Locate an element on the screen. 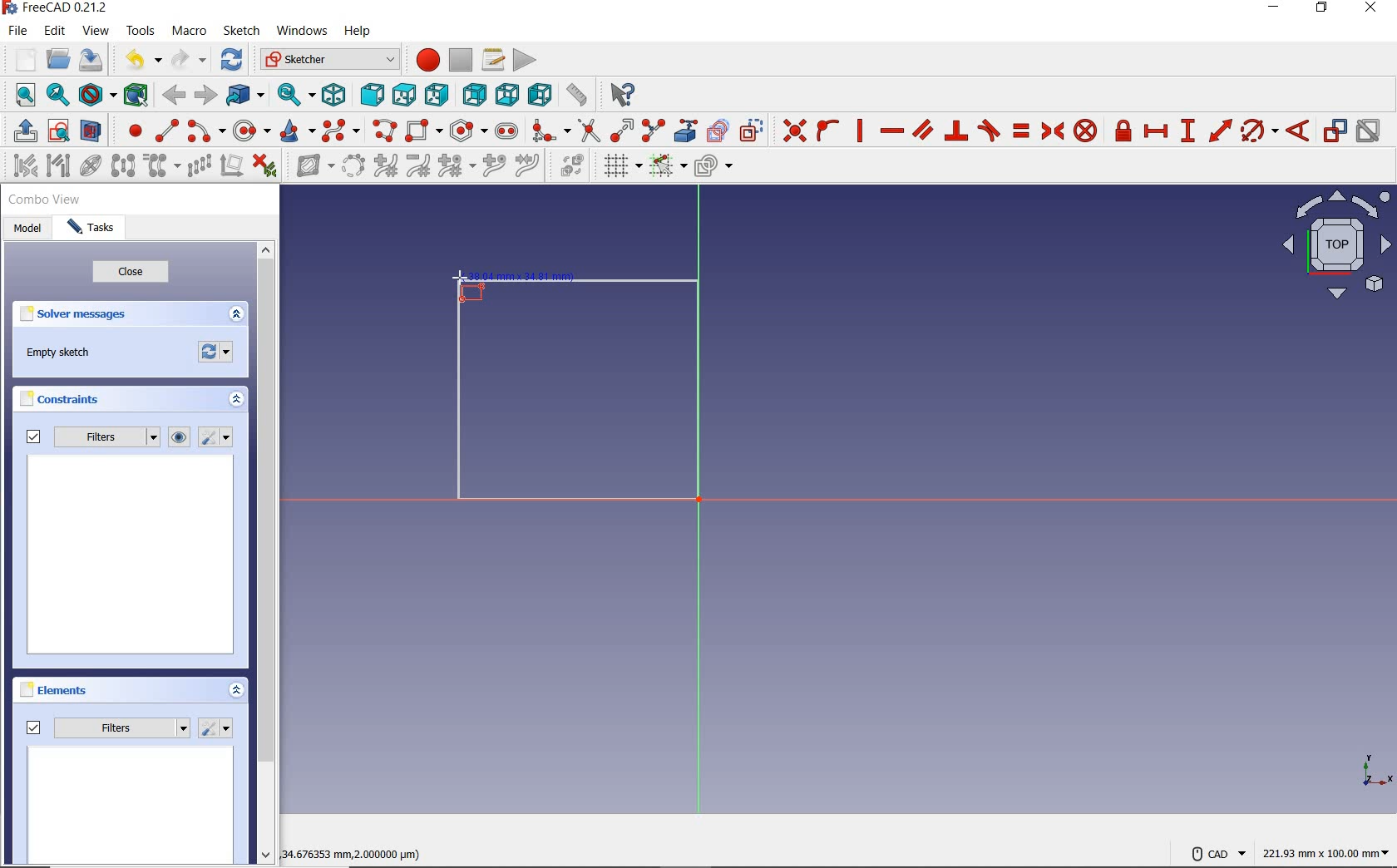 This screenshot has width=1397, height=868. extend edge is located at coordinates (622, 131).